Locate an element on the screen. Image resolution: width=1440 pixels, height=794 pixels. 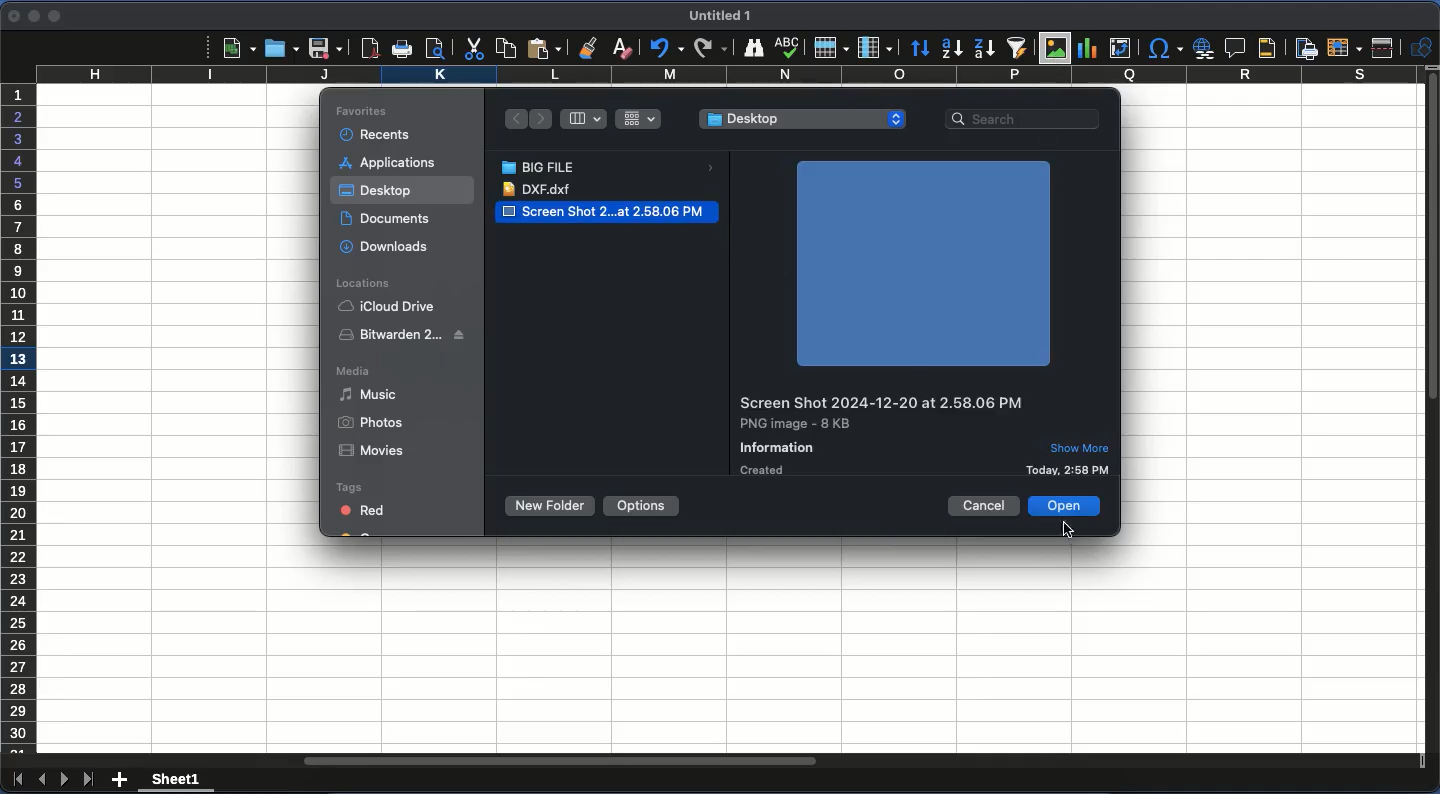
cut is located at coordinates (472, 50).